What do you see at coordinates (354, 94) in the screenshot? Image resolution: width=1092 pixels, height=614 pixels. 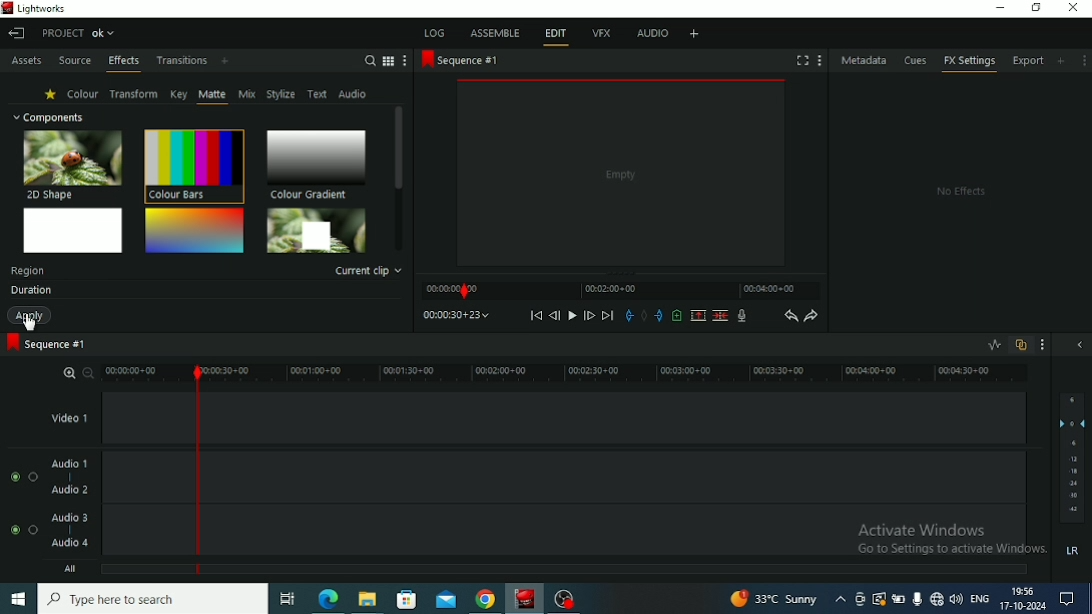 I see `Audio` at bounding box center [354, 94].